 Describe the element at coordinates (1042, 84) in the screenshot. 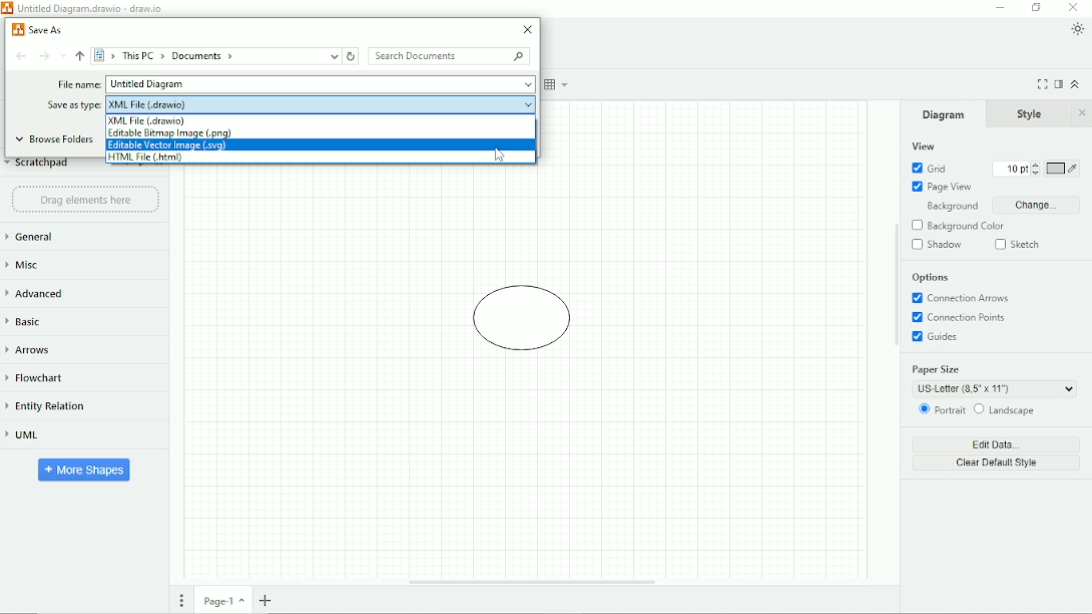

I see `Fullscreen` at that location.